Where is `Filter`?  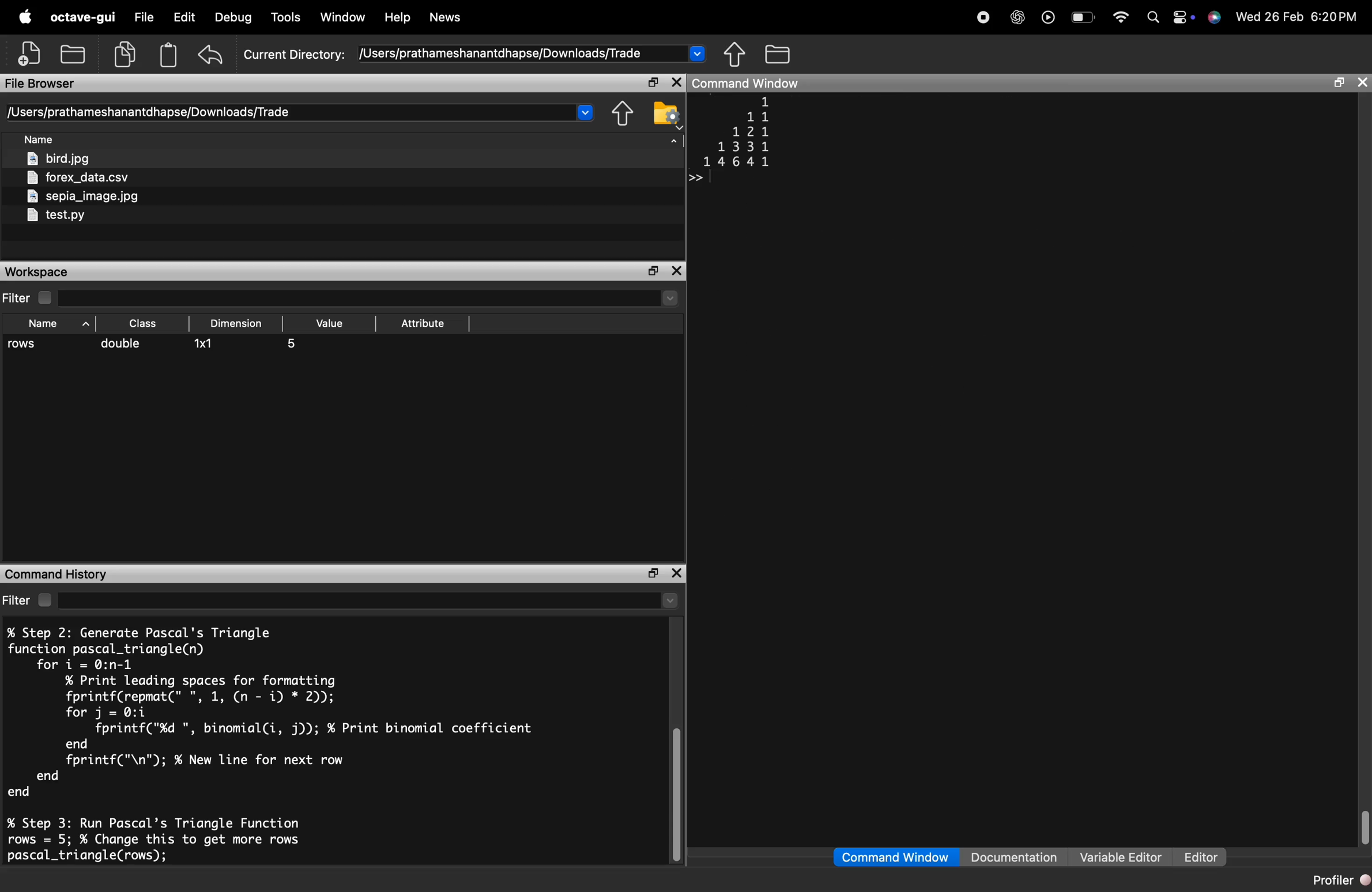 Filter is located at coordinates (29, 298).